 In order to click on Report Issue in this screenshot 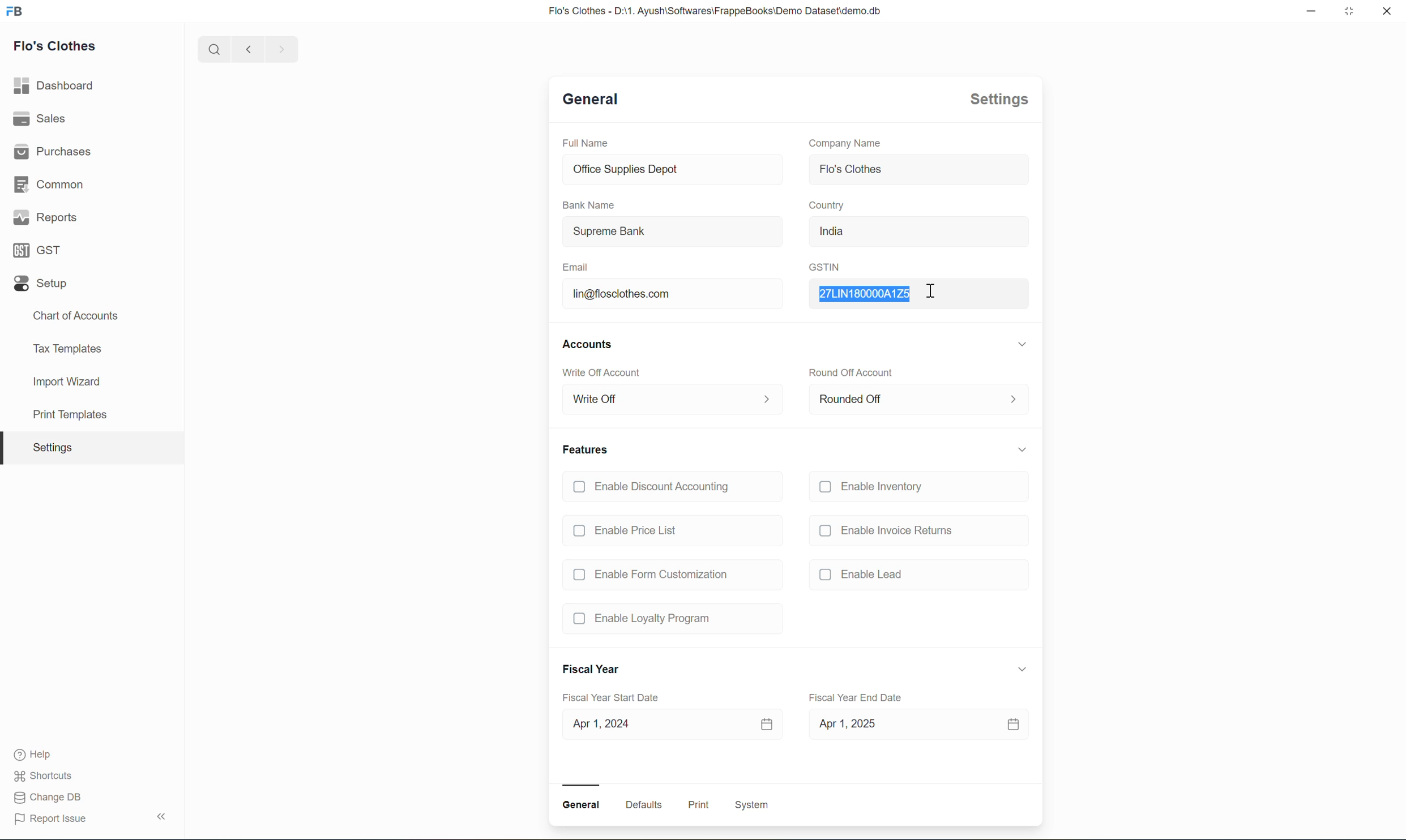, I will do `click(49, 818)`.